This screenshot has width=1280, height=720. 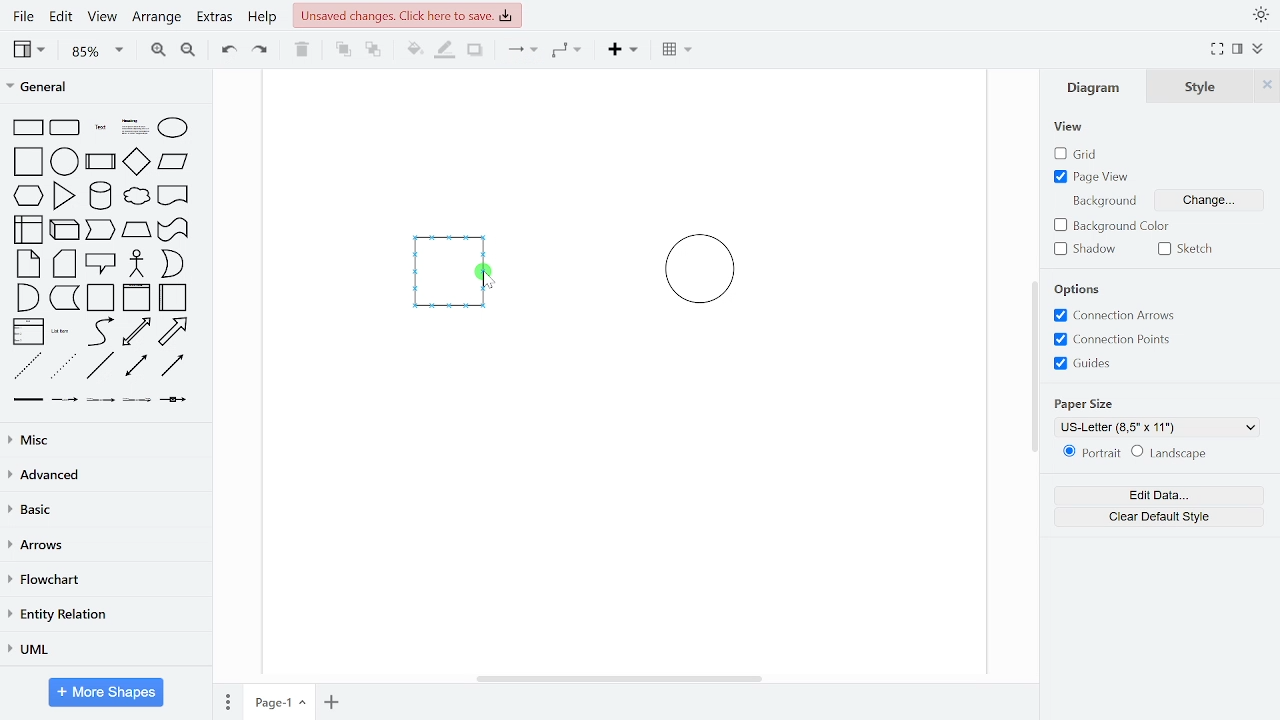 I want to click on cube, so click(x=66, y=228).